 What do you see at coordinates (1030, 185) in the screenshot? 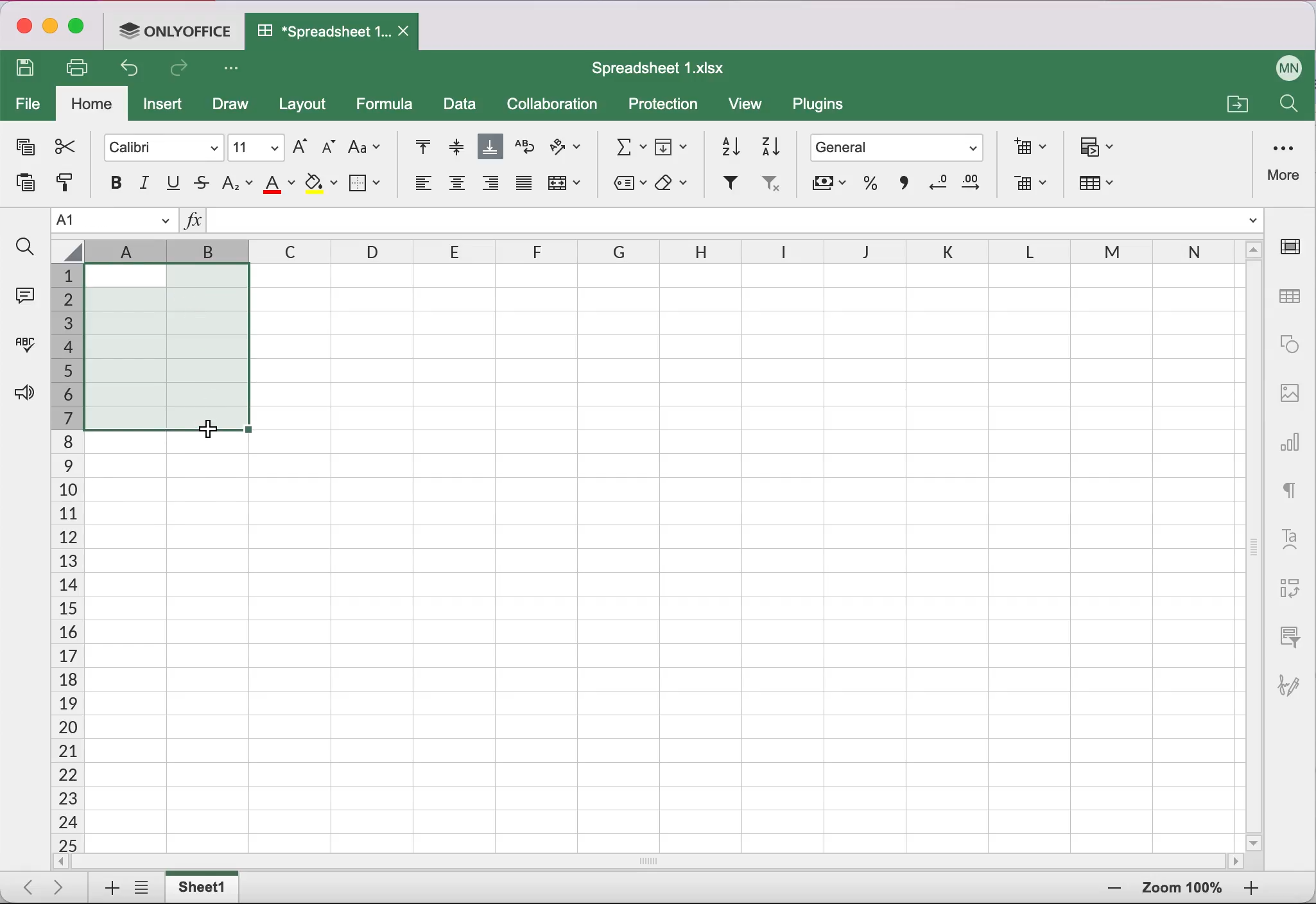
I see `delete cells` at bounding box center [1030, 185].